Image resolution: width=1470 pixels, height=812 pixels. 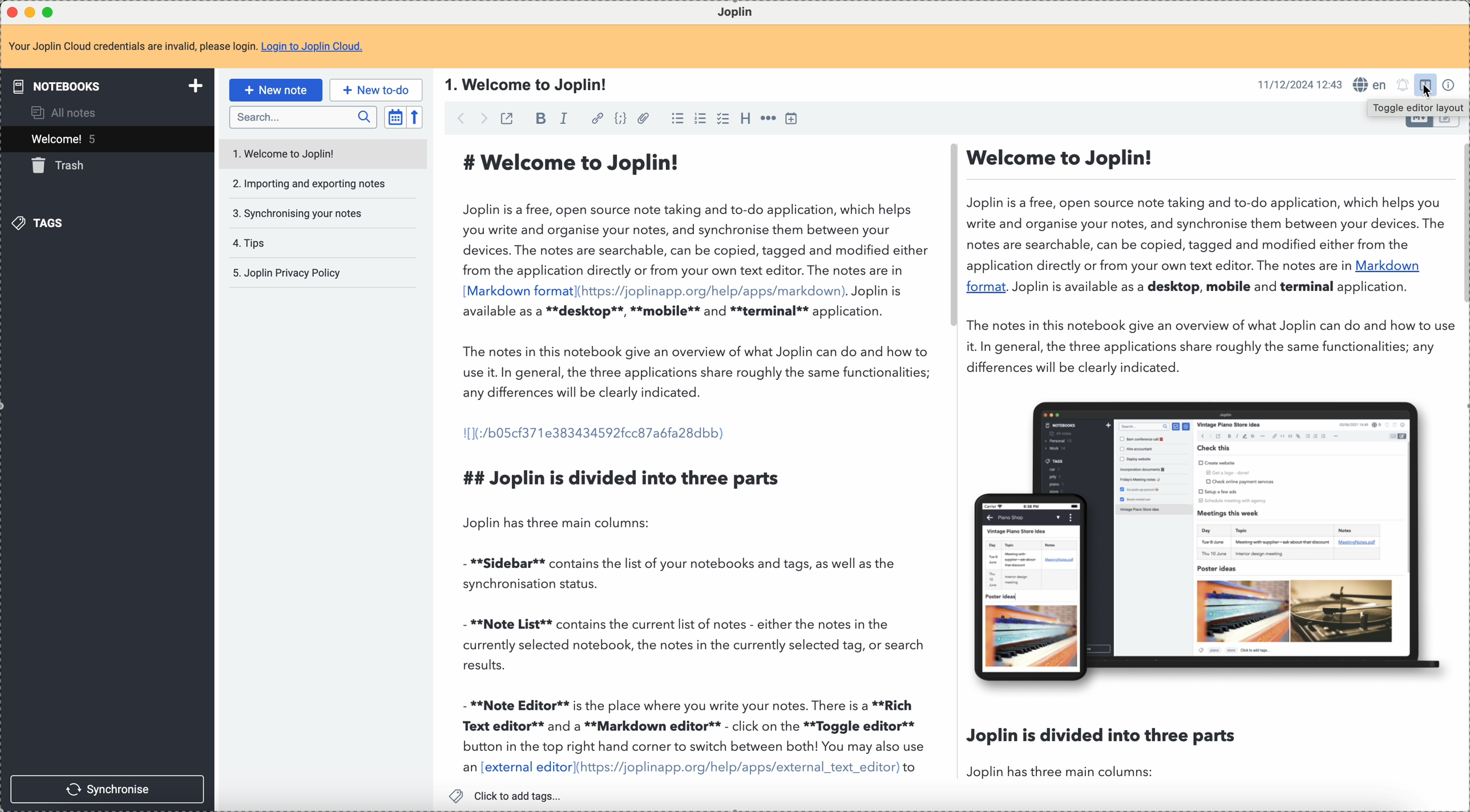 I want to click on toggle editor, so click(x=1449, y=126).